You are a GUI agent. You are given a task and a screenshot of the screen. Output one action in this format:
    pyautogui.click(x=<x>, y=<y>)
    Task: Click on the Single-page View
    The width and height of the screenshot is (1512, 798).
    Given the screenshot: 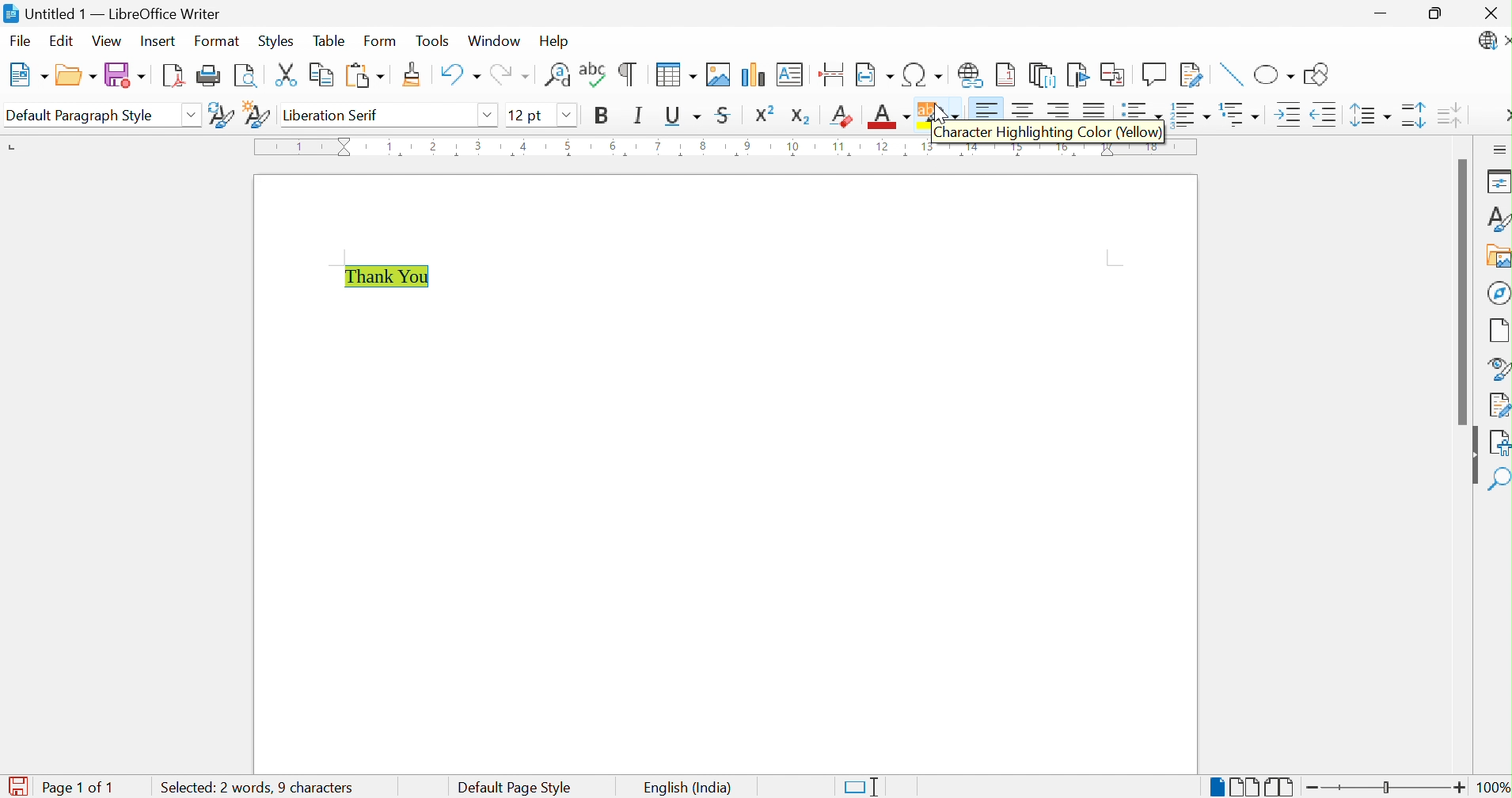 What is the action you would take?
    pyautogui.click(x=1212, y=785)
    